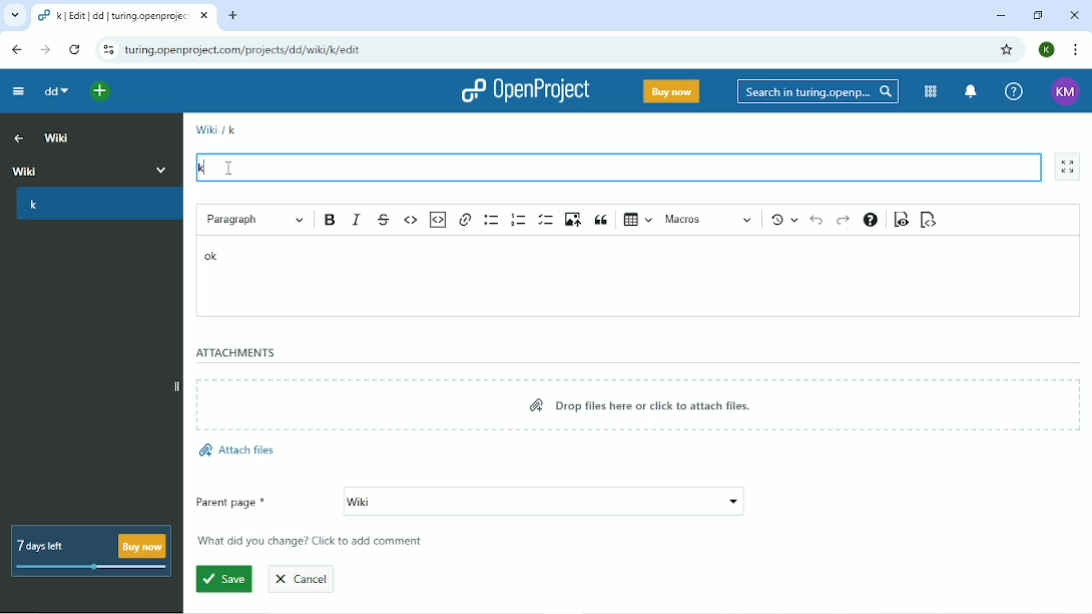  Describe the element at coordinates (600, 220) in the screenshot. I see `Block quote` at that location.